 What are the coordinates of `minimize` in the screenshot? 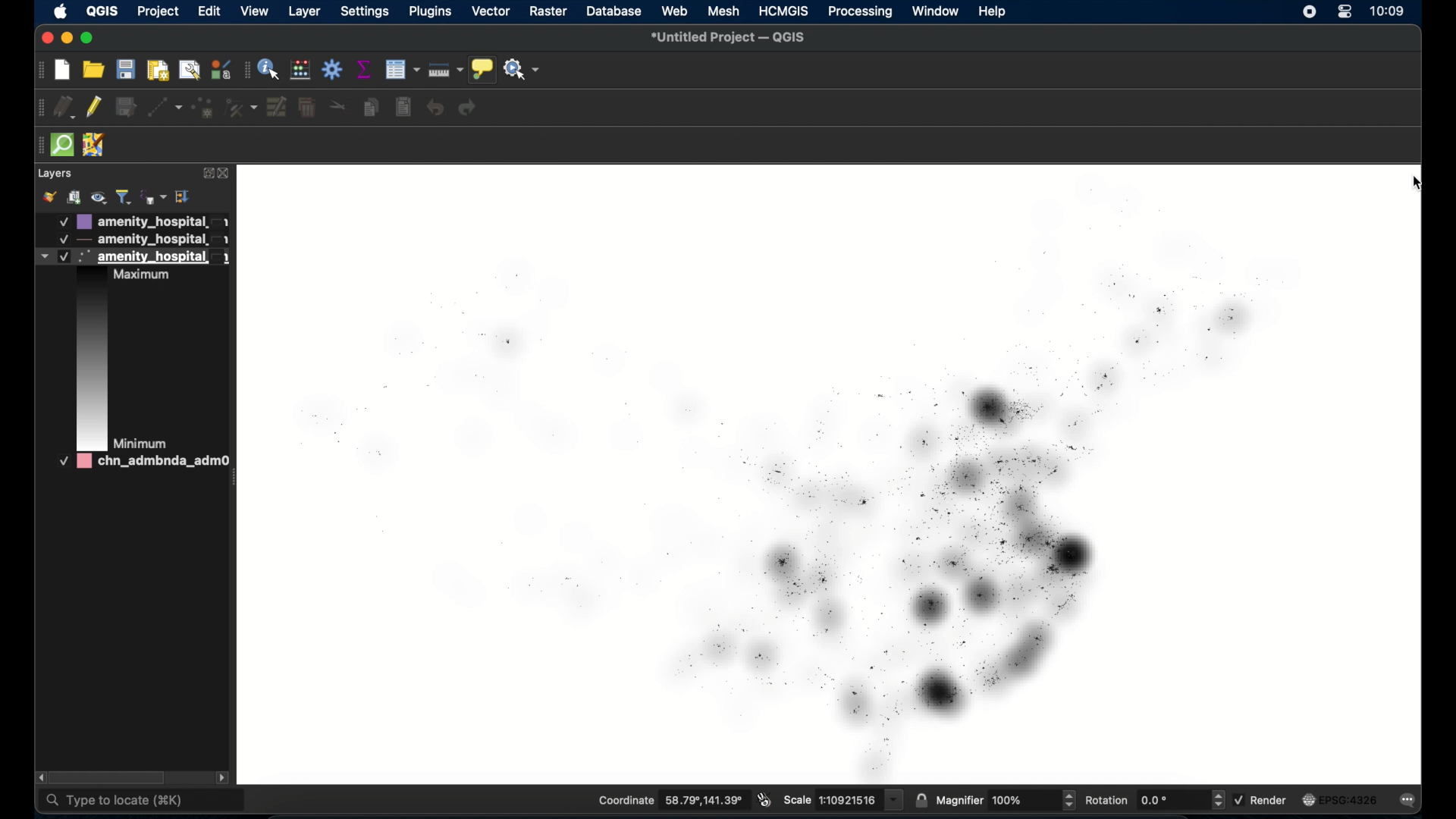 It's located at (66, 39).